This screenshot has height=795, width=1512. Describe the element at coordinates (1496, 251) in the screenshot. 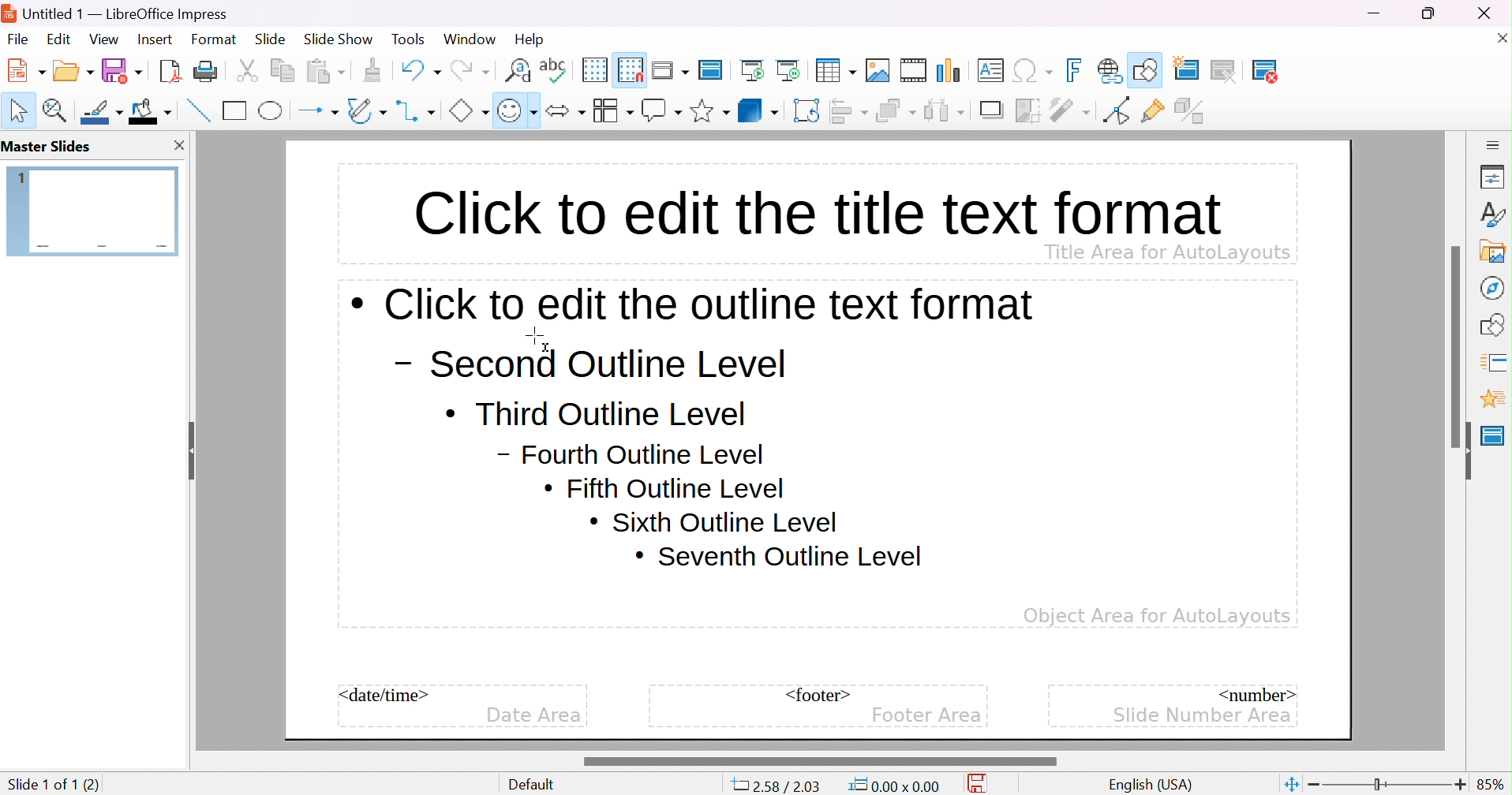

I see `gallery` at that location.